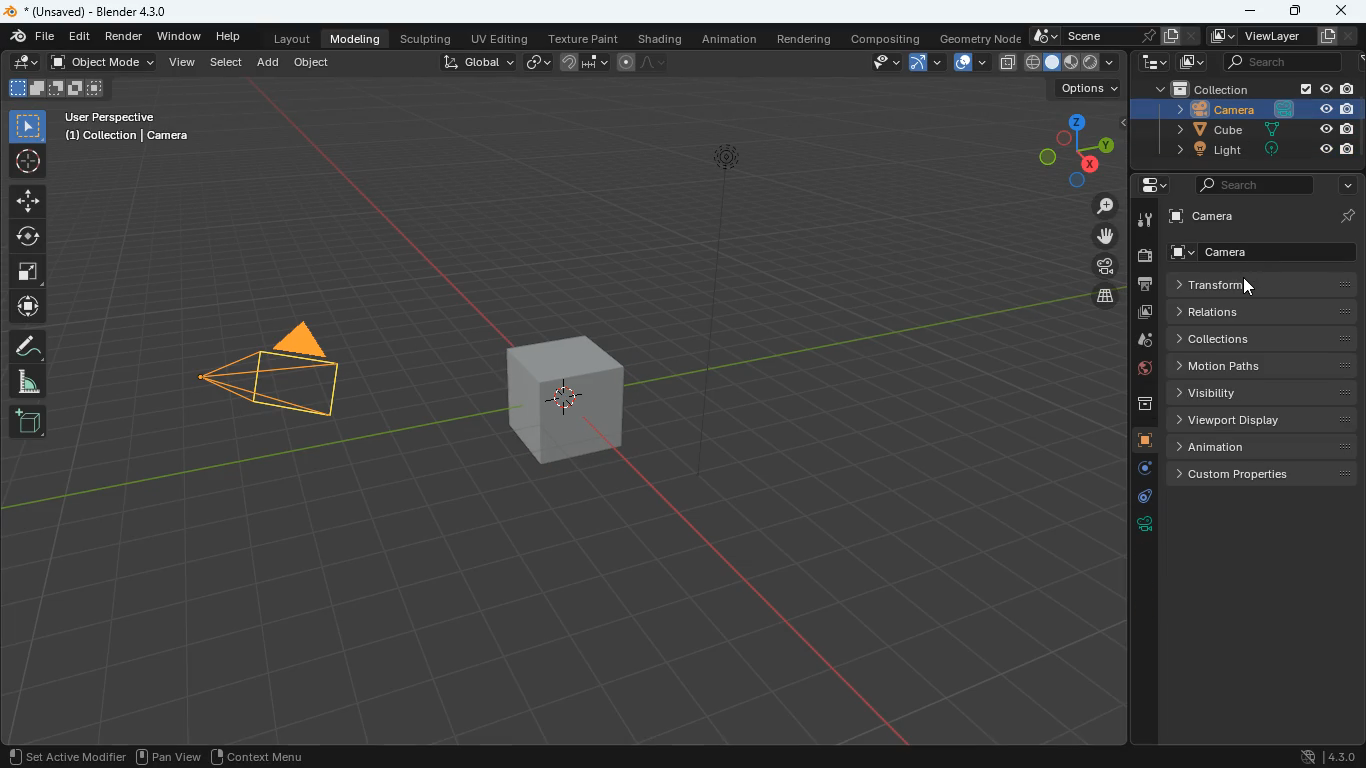 This screenshot has width=1366, height=768. What do you see at coordinates (1142, 256) in the screenshot?
I see `camera` at bounding box center [1142, 256].